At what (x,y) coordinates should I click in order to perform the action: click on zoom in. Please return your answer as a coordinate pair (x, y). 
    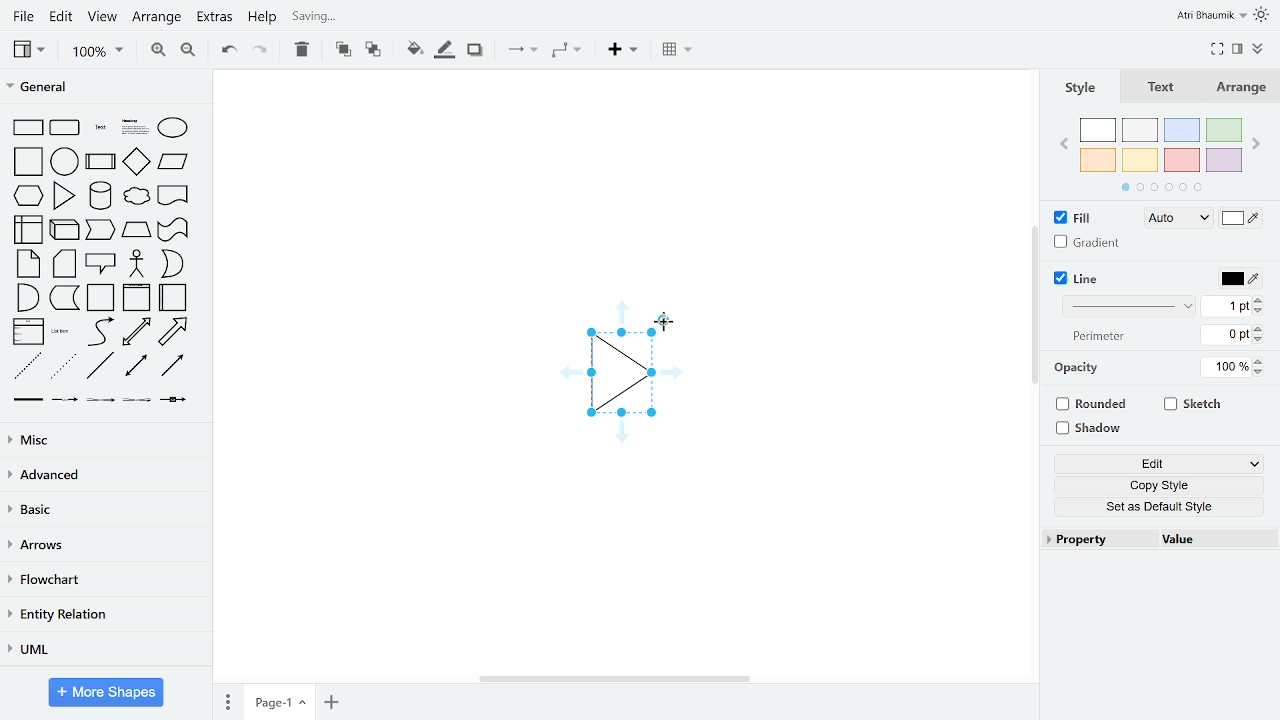
    Looking at the image, I should click on (160, 51).